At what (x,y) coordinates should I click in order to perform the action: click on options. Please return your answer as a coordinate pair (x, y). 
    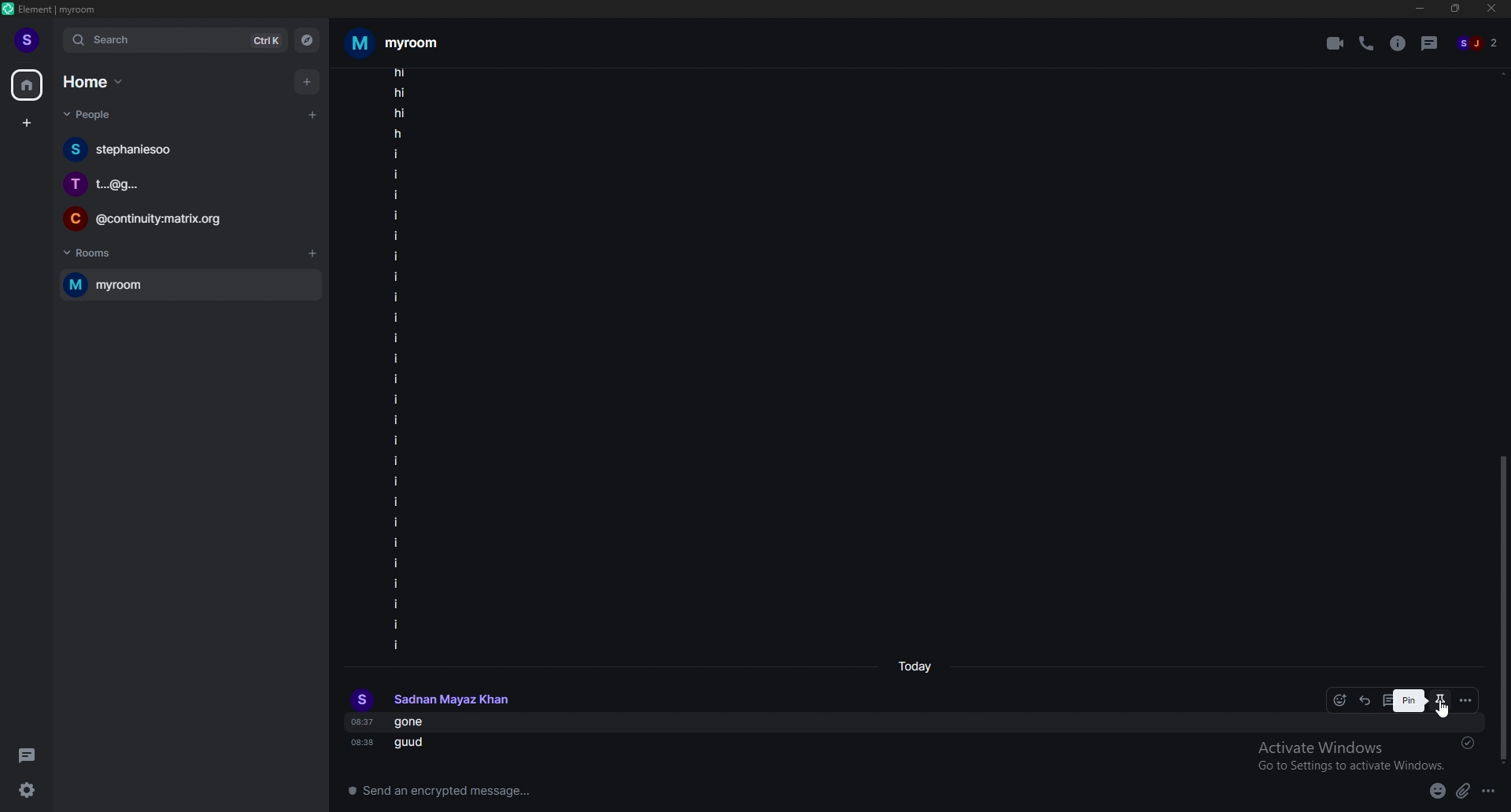
    Looking at the image, I should click on (1489, 792).